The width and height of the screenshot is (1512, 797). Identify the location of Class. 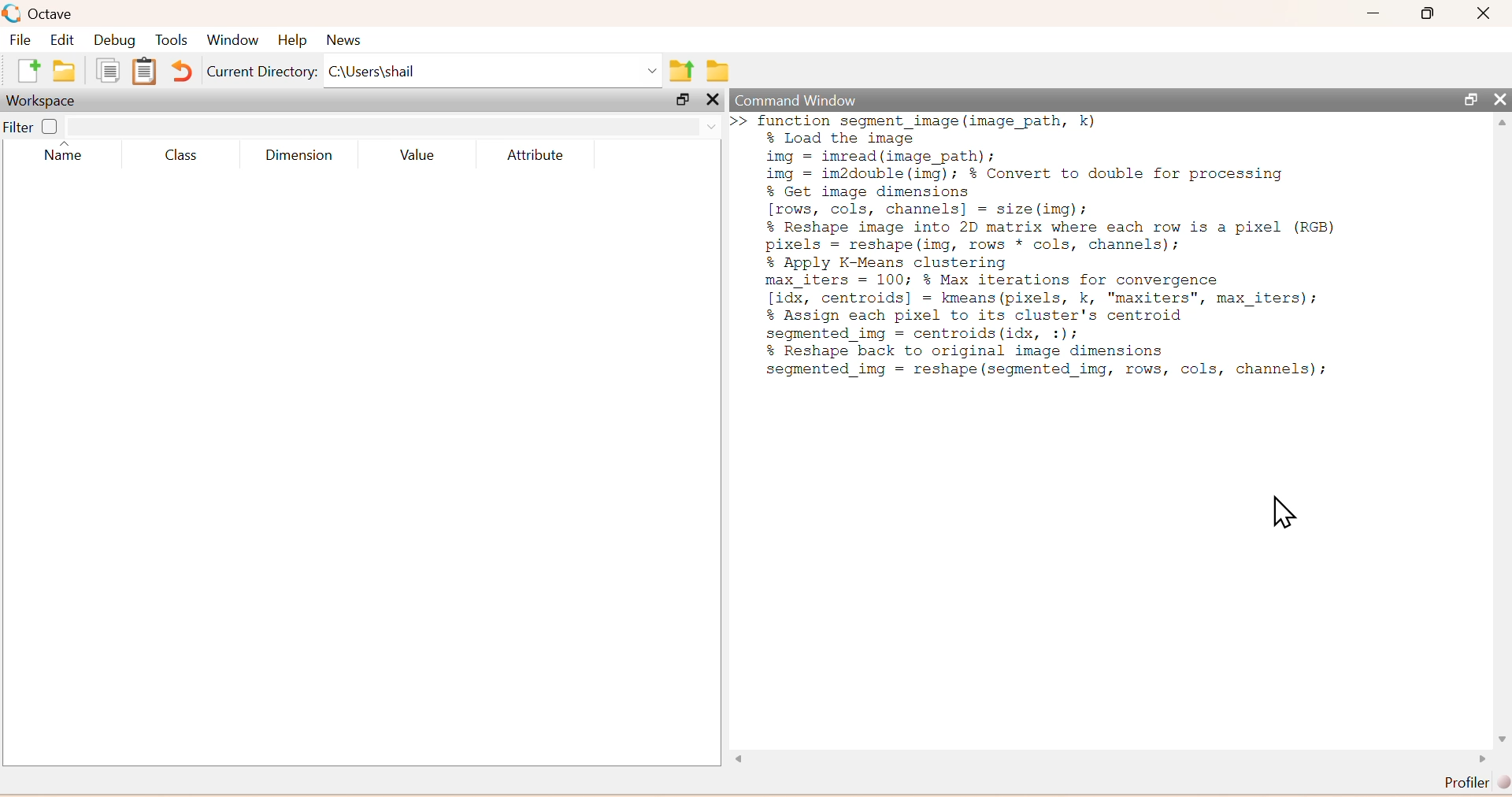
(184, 156).